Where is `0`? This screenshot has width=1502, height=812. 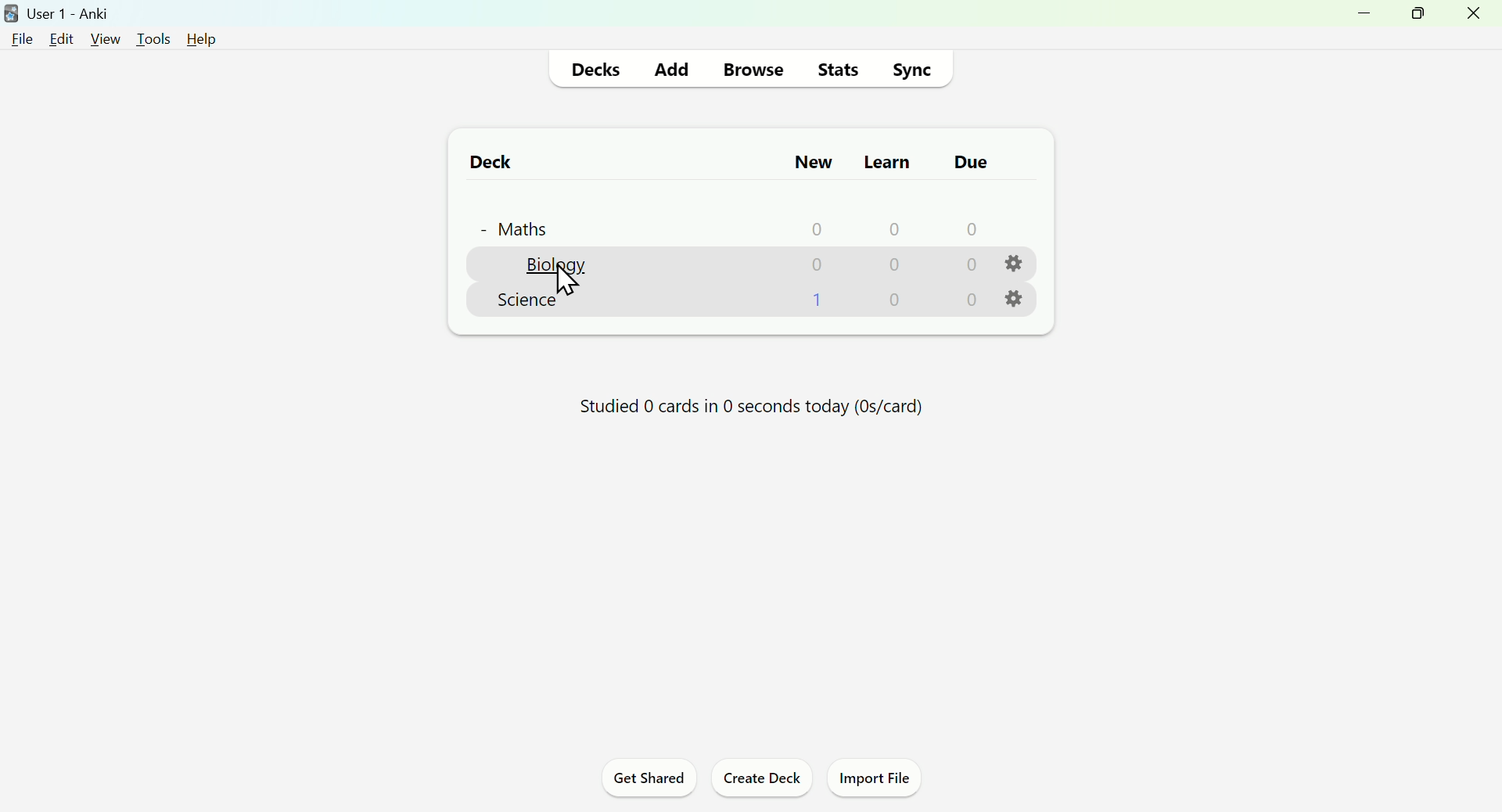 0 is located at coordinates (968, 265).